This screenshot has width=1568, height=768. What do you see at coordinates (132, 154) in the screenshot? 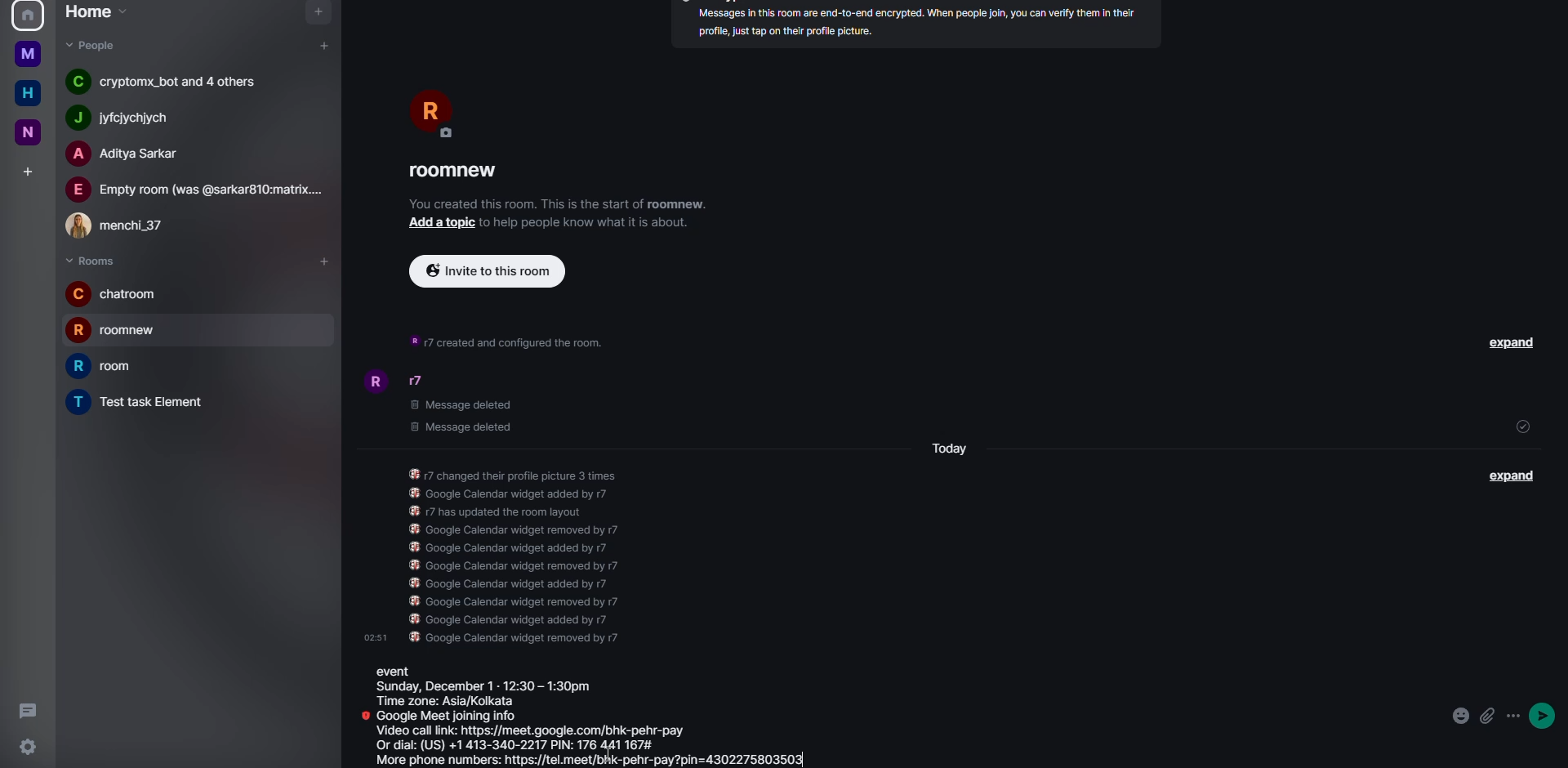
I see `people` at bounding box center [132, 154].